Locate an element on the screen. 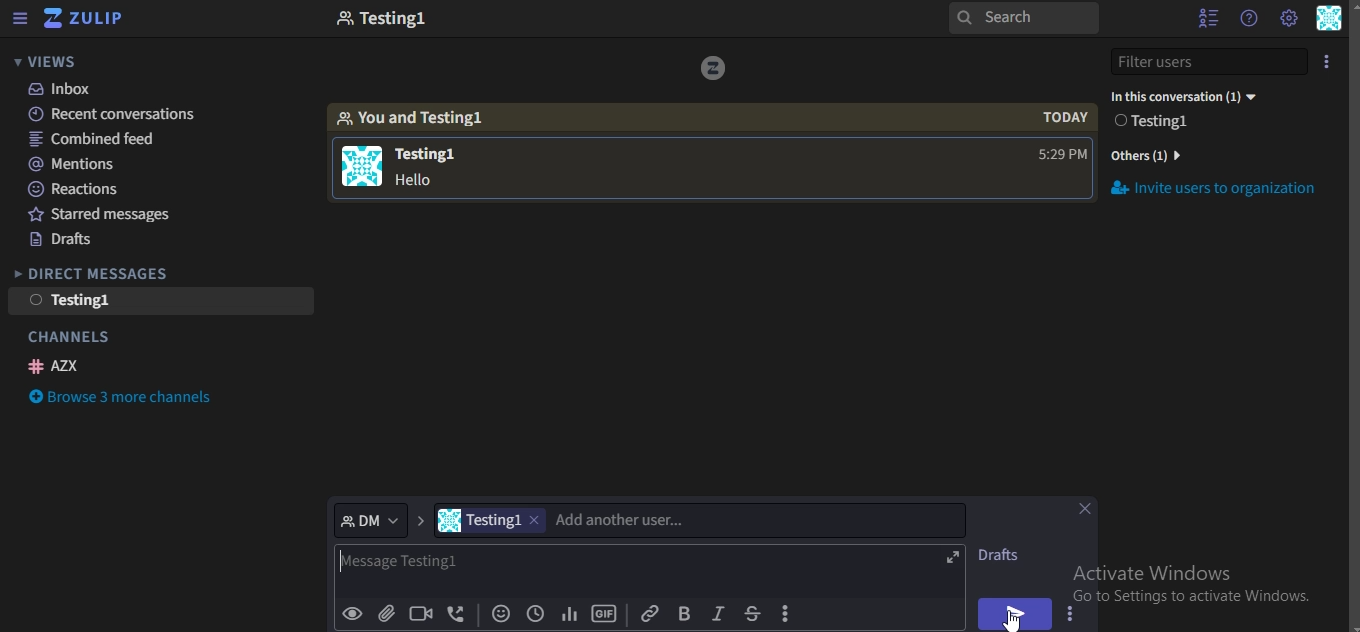 The width and height of the screenshot is (1360, 632). reactions is located at coordinates (76, 189).